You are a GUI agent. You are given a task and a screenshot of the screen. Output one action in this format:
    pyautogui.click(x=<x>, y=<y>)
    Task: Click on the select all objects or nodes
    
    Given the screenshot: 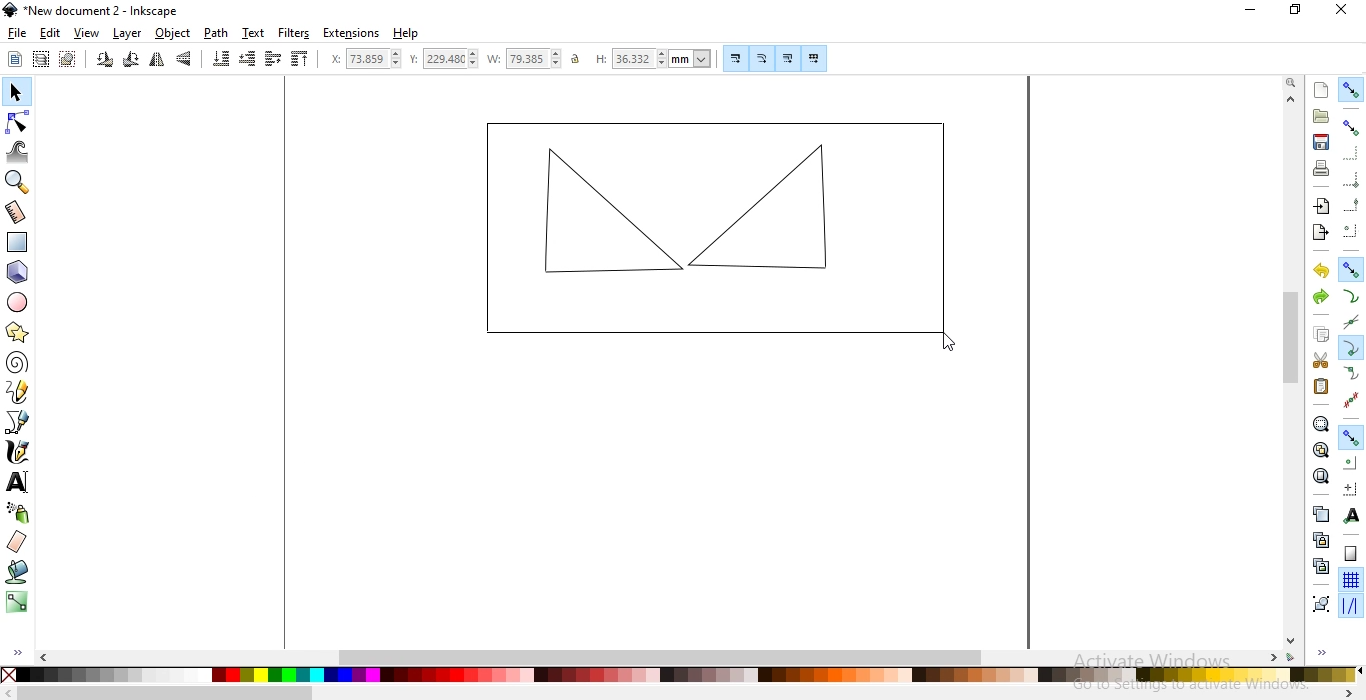 What is the action you would take?
    pyautogui.click(x=15, y=60)
    